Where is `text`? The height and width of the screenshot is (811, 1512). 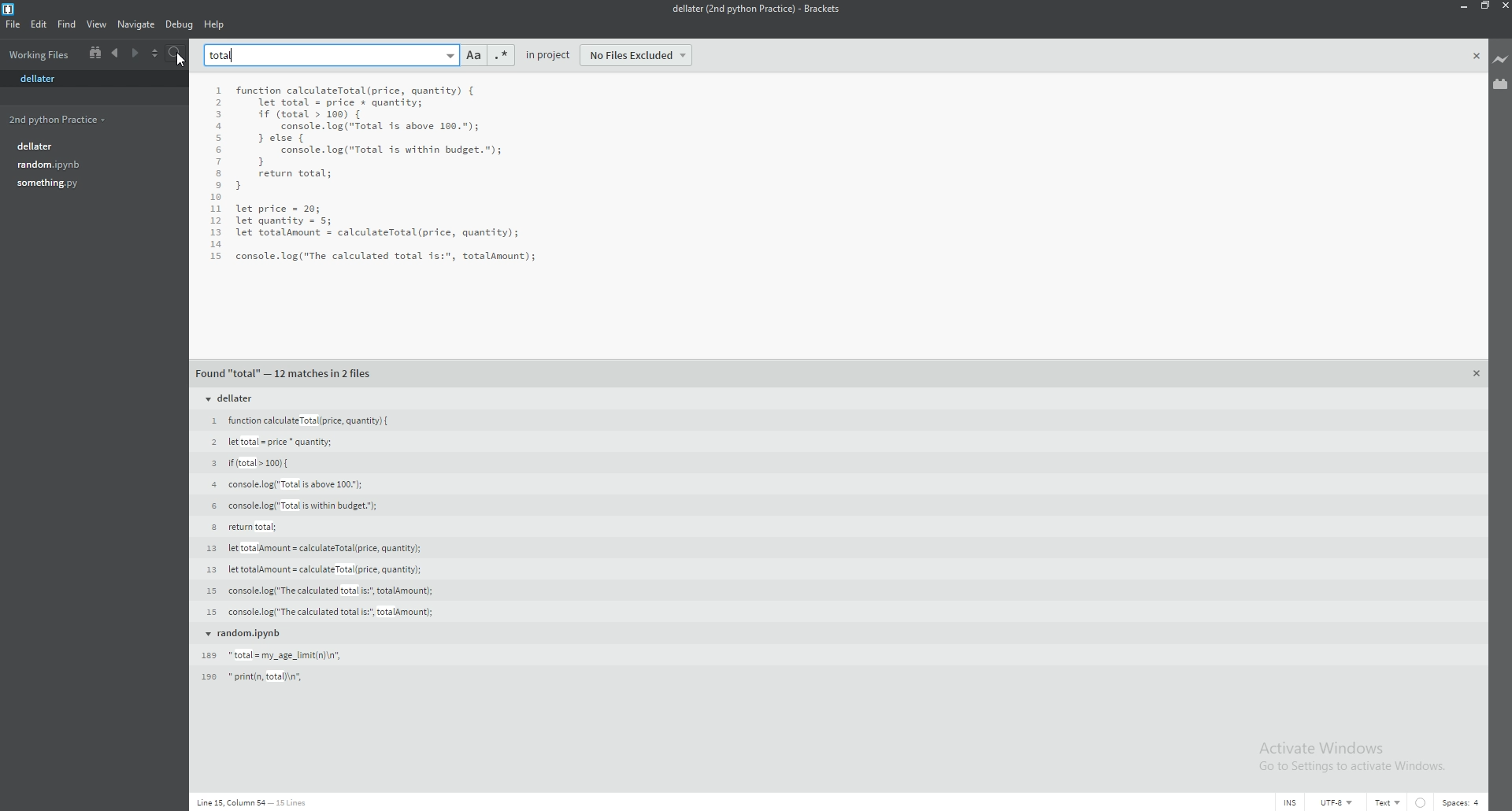 text is located at coordinates (1388, 802).